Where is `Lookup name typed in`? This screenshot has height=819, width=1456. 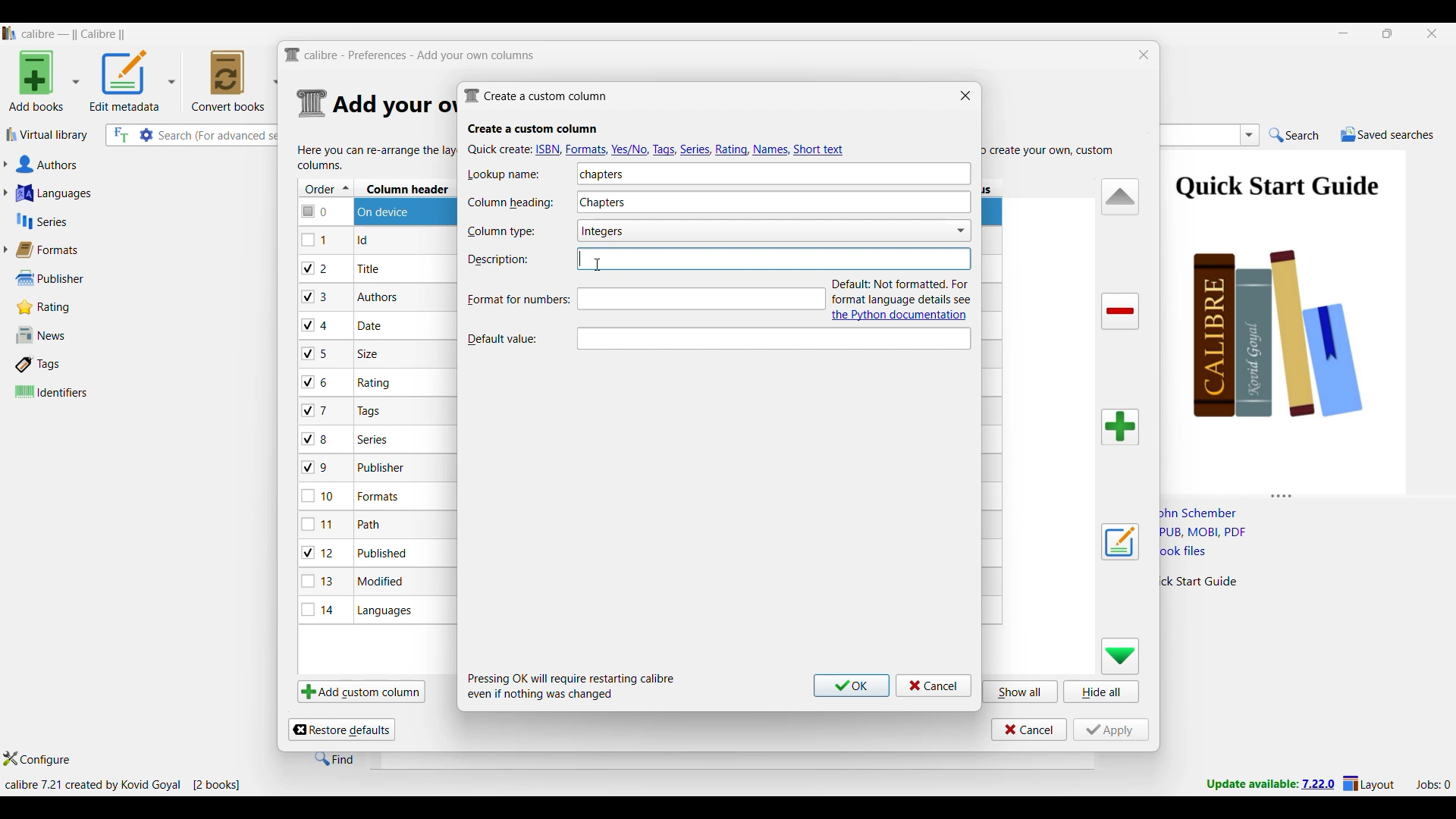 Lookup name typed in is located at coordinates (599, 174).